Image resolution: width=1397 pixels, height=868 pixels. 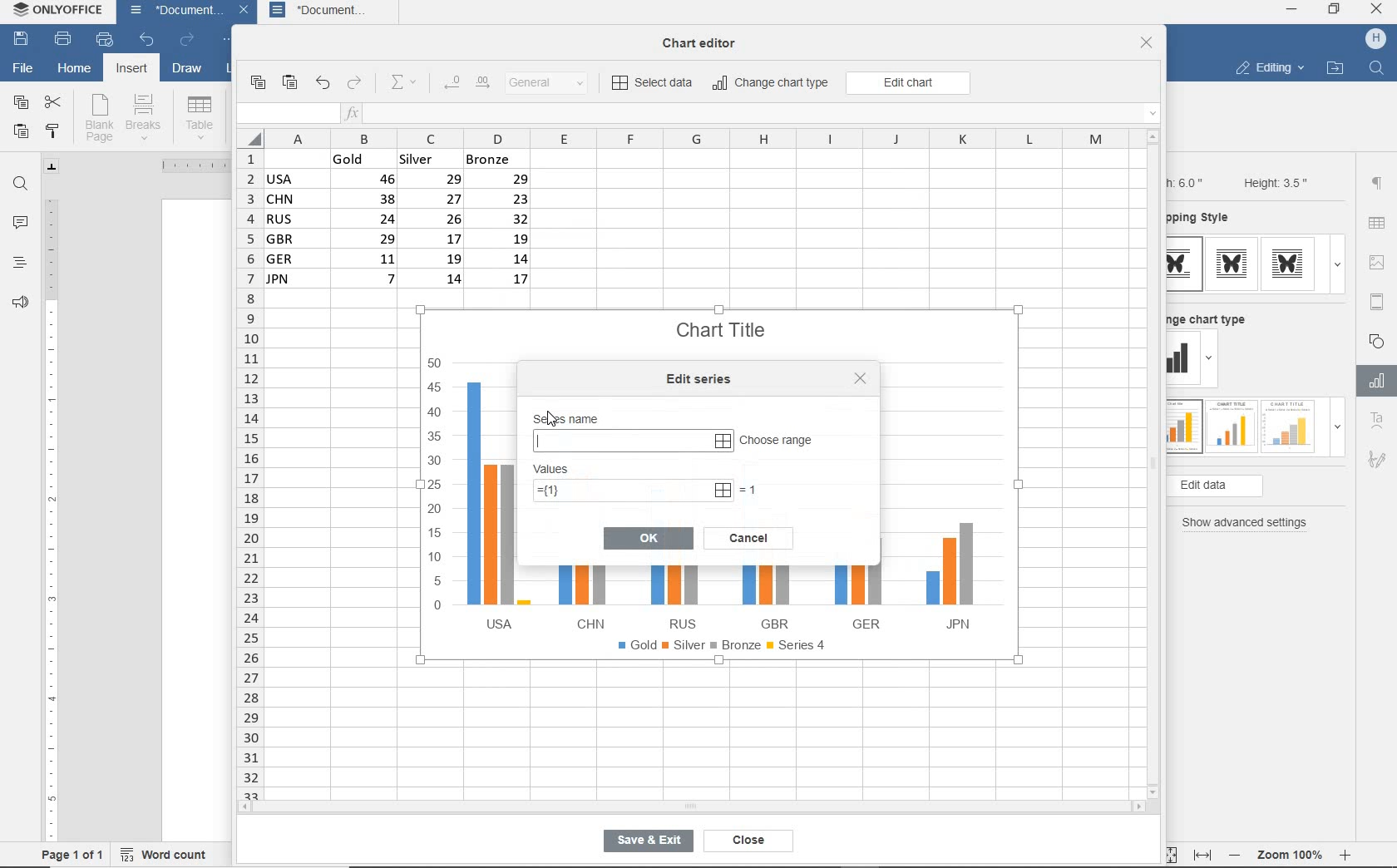 What do you see at coordinates (355, 84) in the screenshot?
I see `redo ` at bounding box center [355, 84].